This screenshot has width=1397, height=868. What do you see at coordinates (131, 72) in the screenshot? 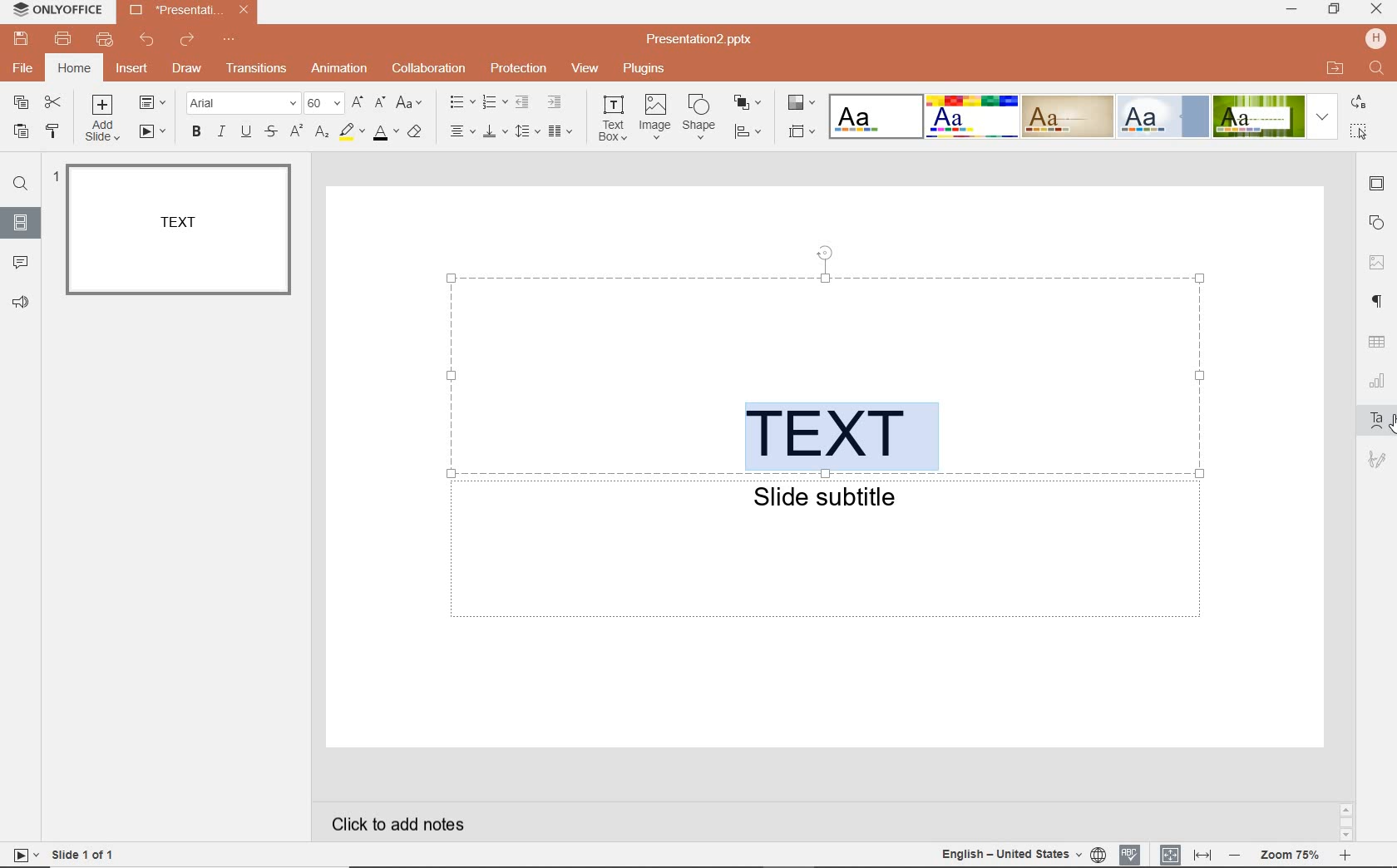
I see `INSERT` at bounding box center [131, 72].